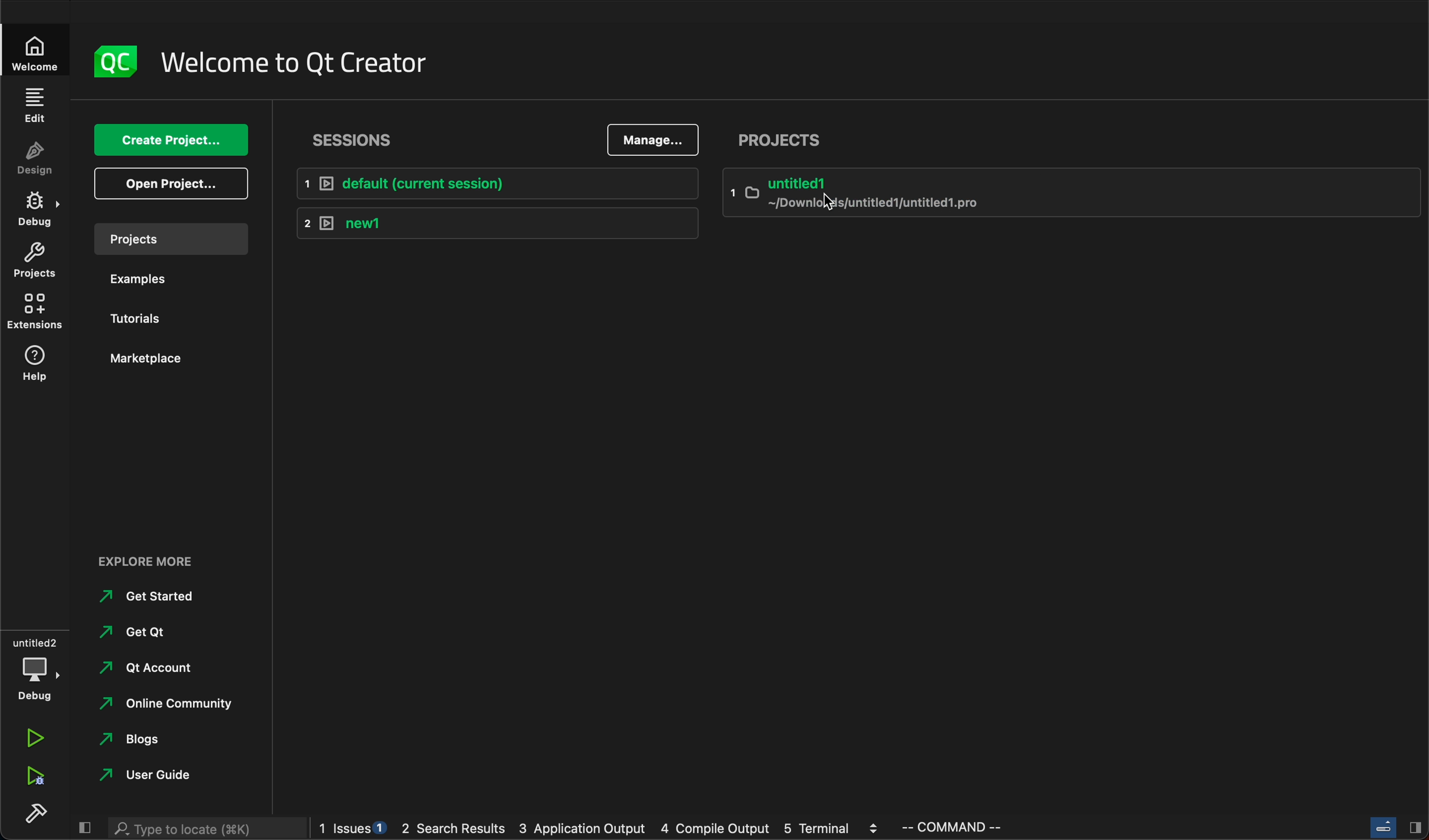 The height and width of the screenshot is (840, 1429). What do you see at coordinates (39, 156) in the screenshot?
I see `design` at bounding box center [39, 156].